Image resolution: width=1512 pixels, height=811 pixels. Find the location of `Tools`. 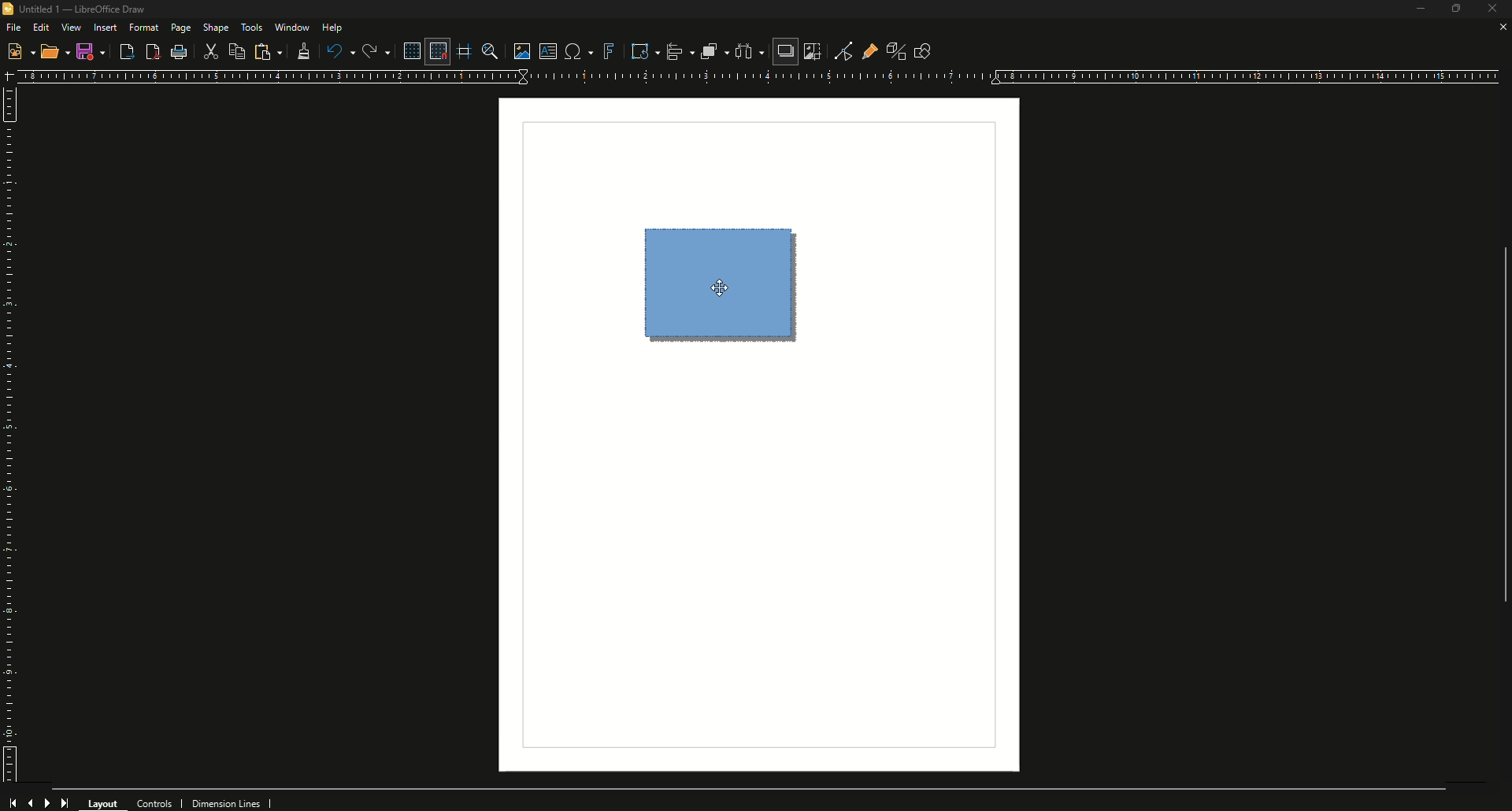

Tools is located at coordinates (251, 28).